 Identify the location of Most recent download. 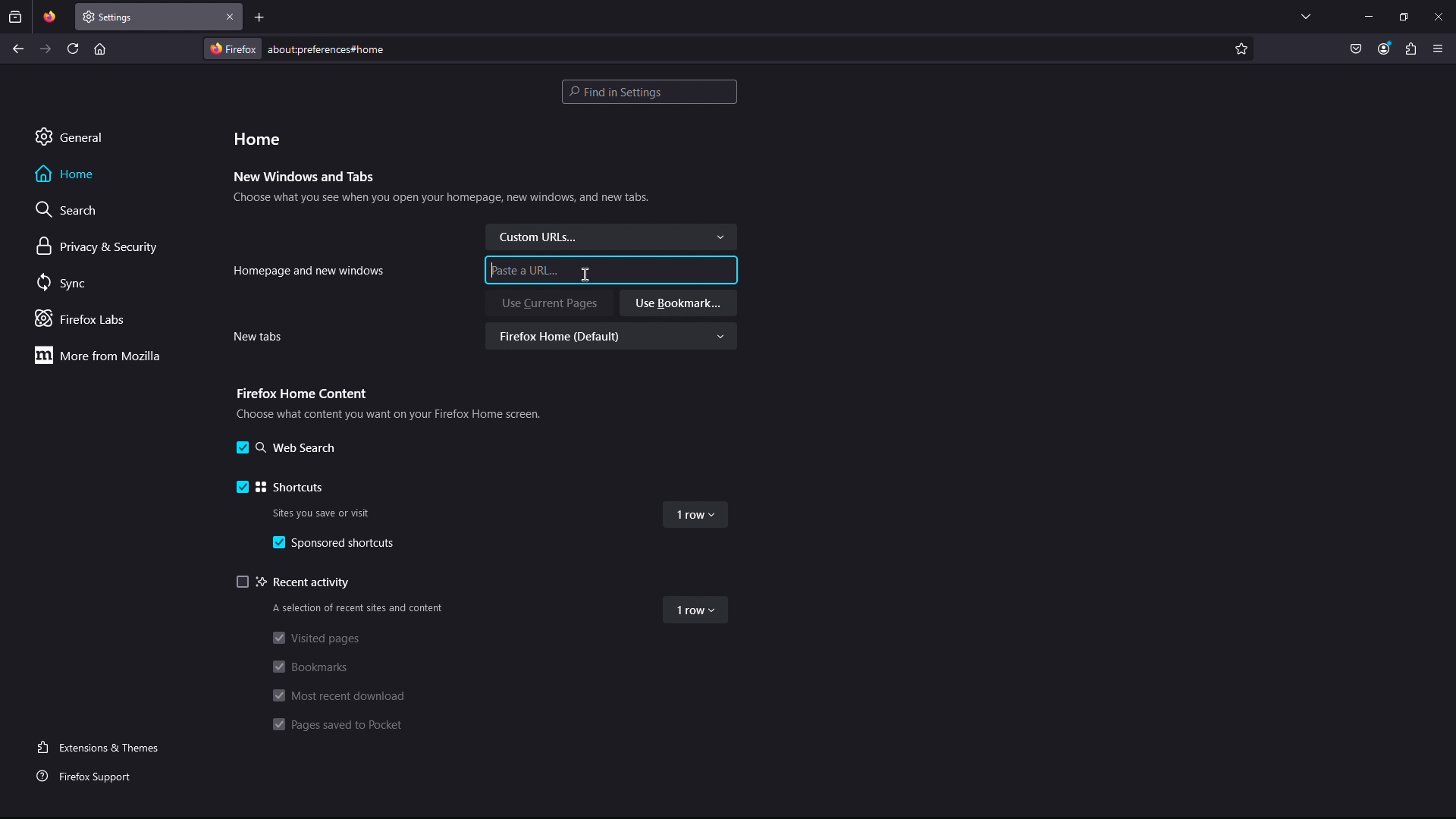
(337, 695).